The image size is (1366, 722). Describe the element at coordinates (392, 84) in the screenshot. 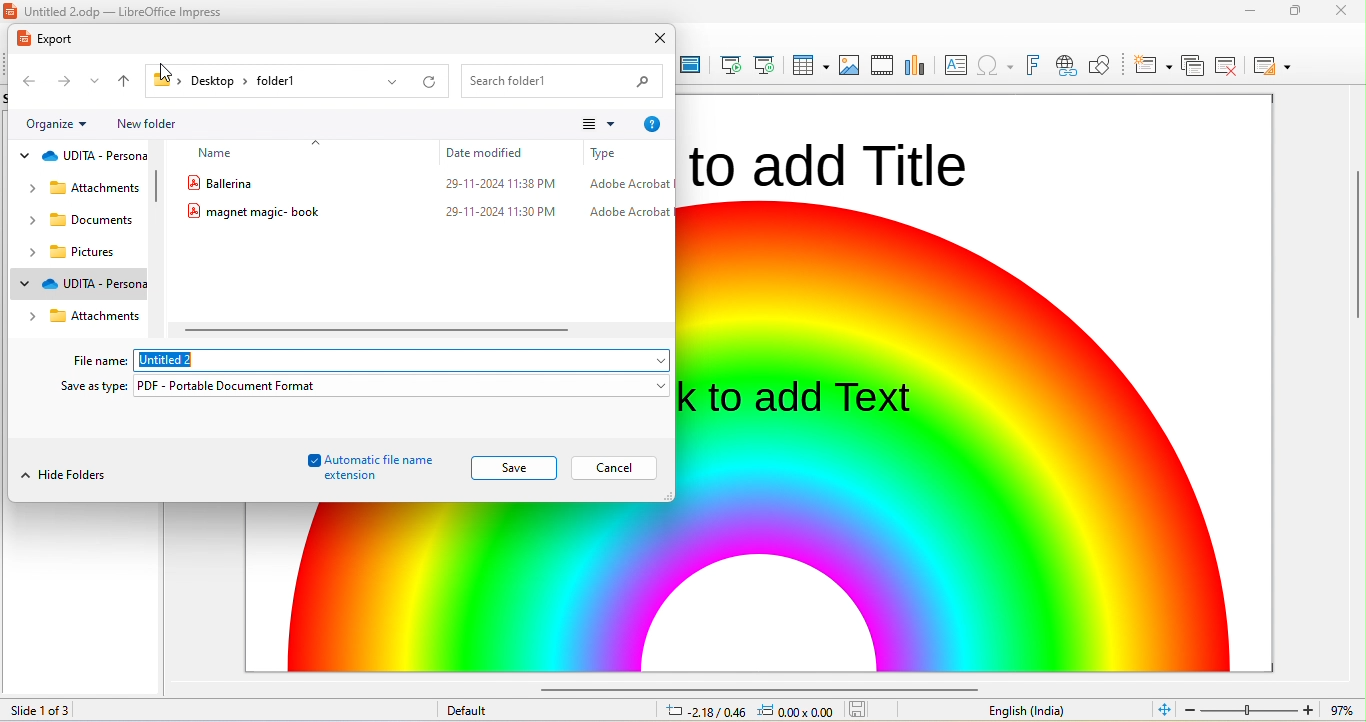

I see `drop down` at that location.